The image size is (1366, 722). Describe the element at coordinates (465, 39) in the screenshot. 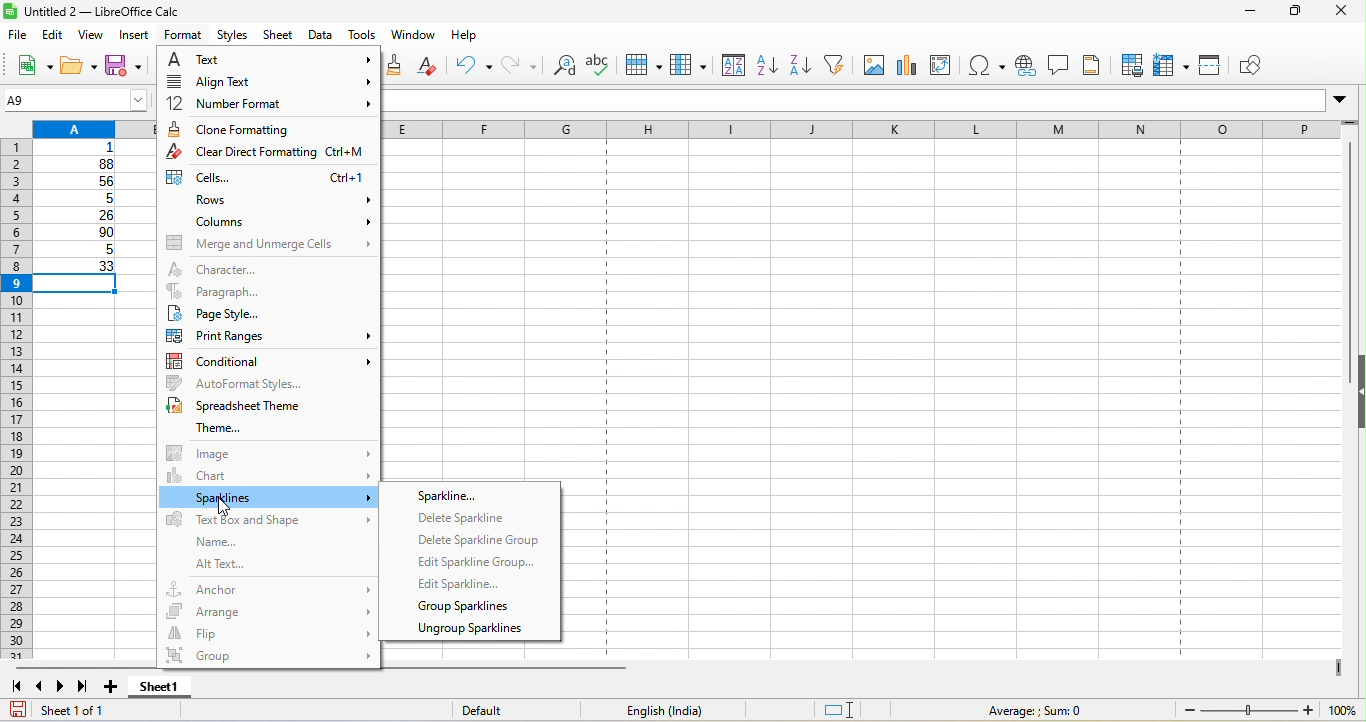

I see `help` at that location.